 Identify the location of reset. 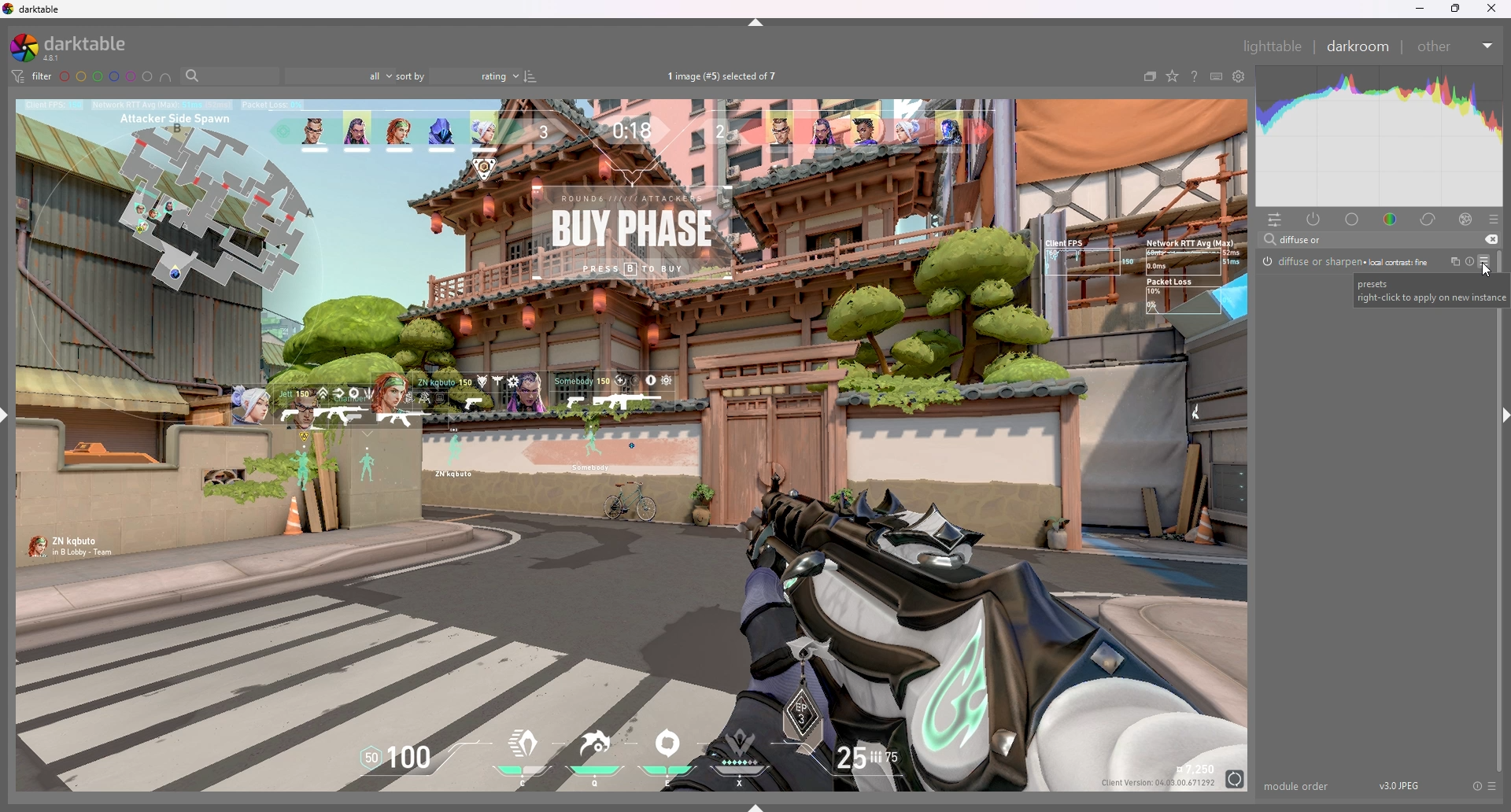
(1476, 785).